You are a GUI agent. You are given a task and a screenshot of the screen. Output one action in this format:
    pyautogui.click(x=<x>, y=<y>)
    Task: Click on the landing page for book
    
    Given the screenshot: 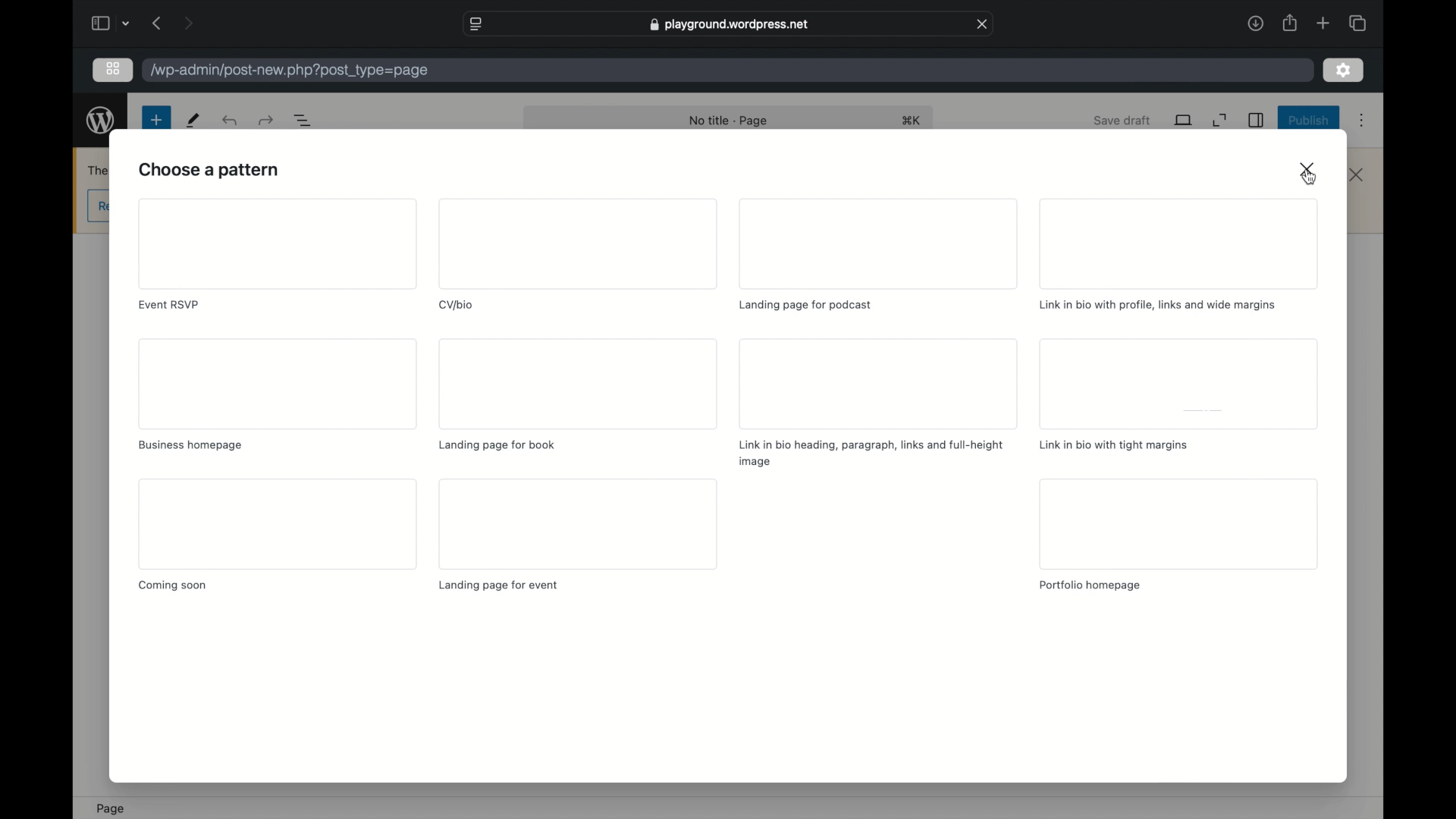 What is the action you would take?
    pyautogui.click(x=499, y=446)
    